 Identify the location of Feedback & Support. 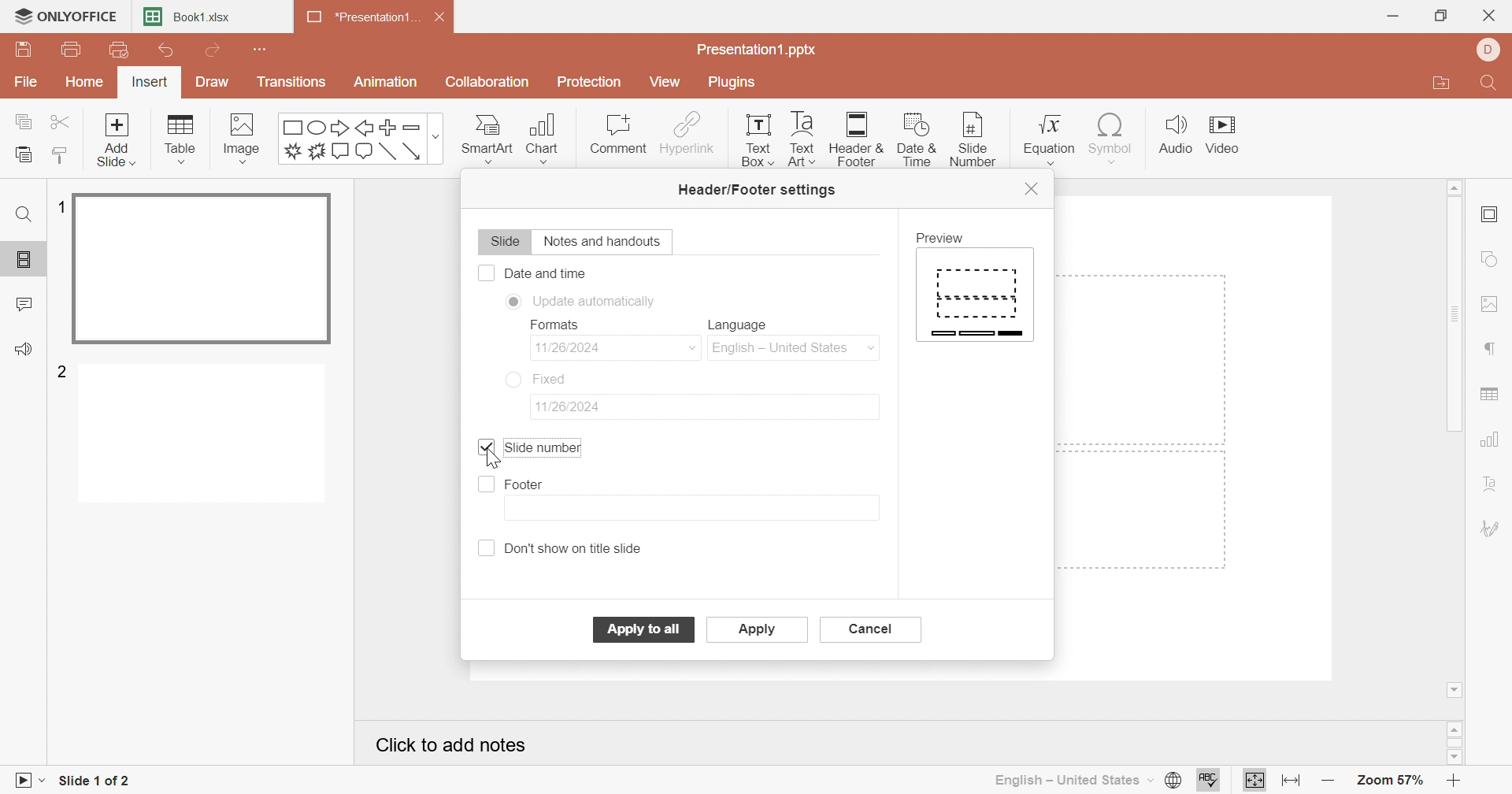
(27, 351).